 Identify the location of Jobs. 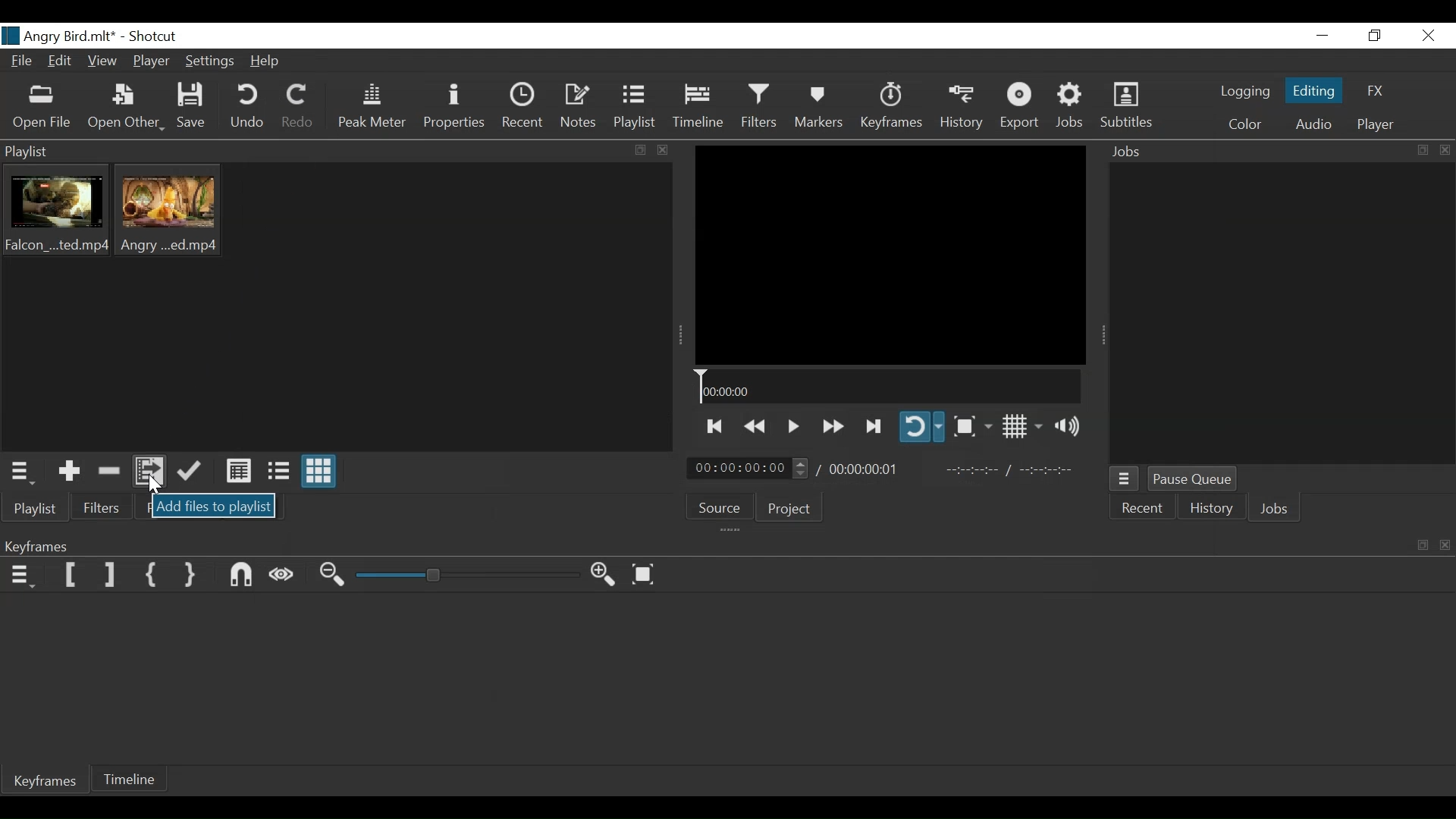
(1277, 509).